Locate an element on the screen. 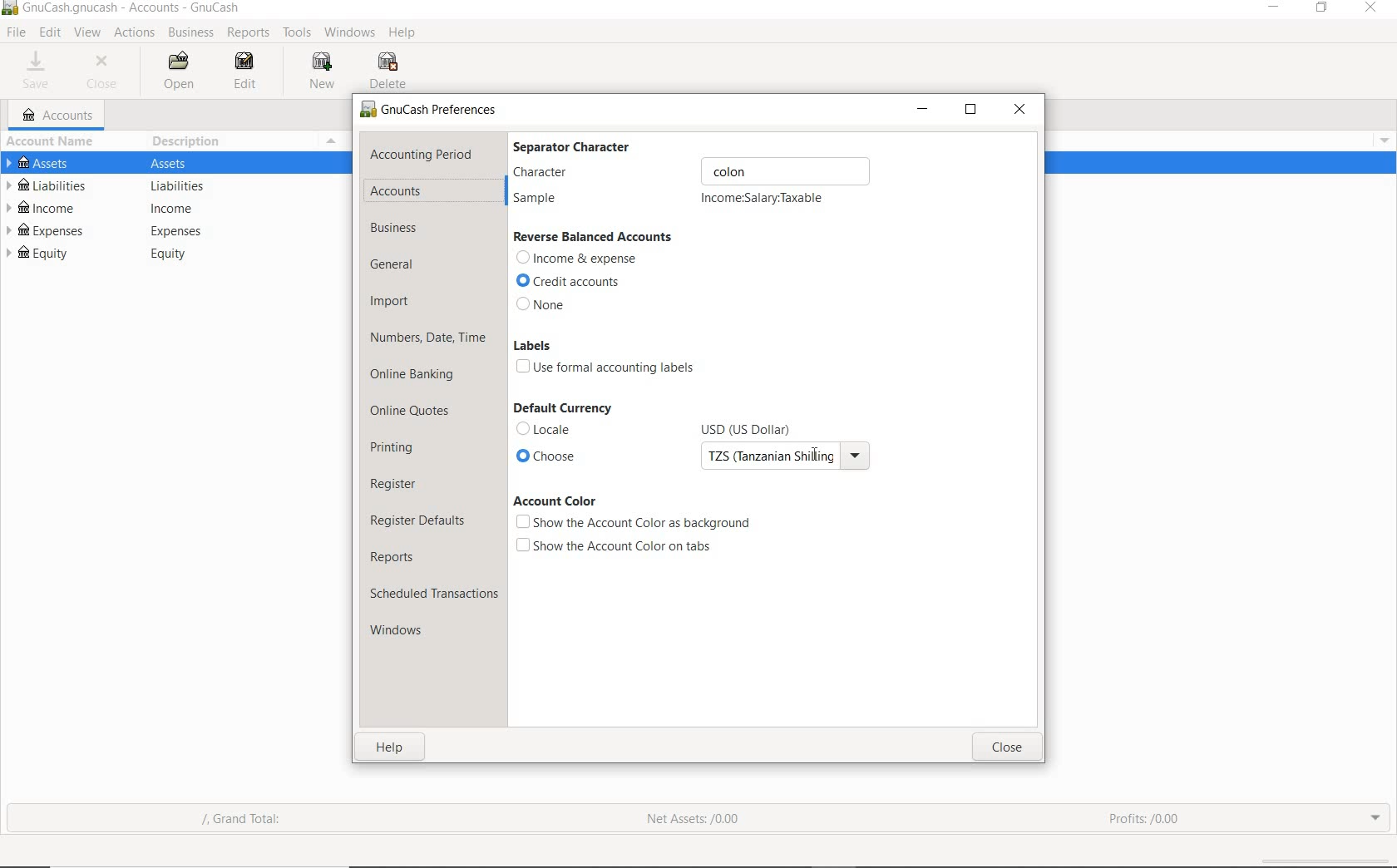 Image resolution: width=1397 pixels, height=868 pixels. account color is located at coordinates (554, 501).